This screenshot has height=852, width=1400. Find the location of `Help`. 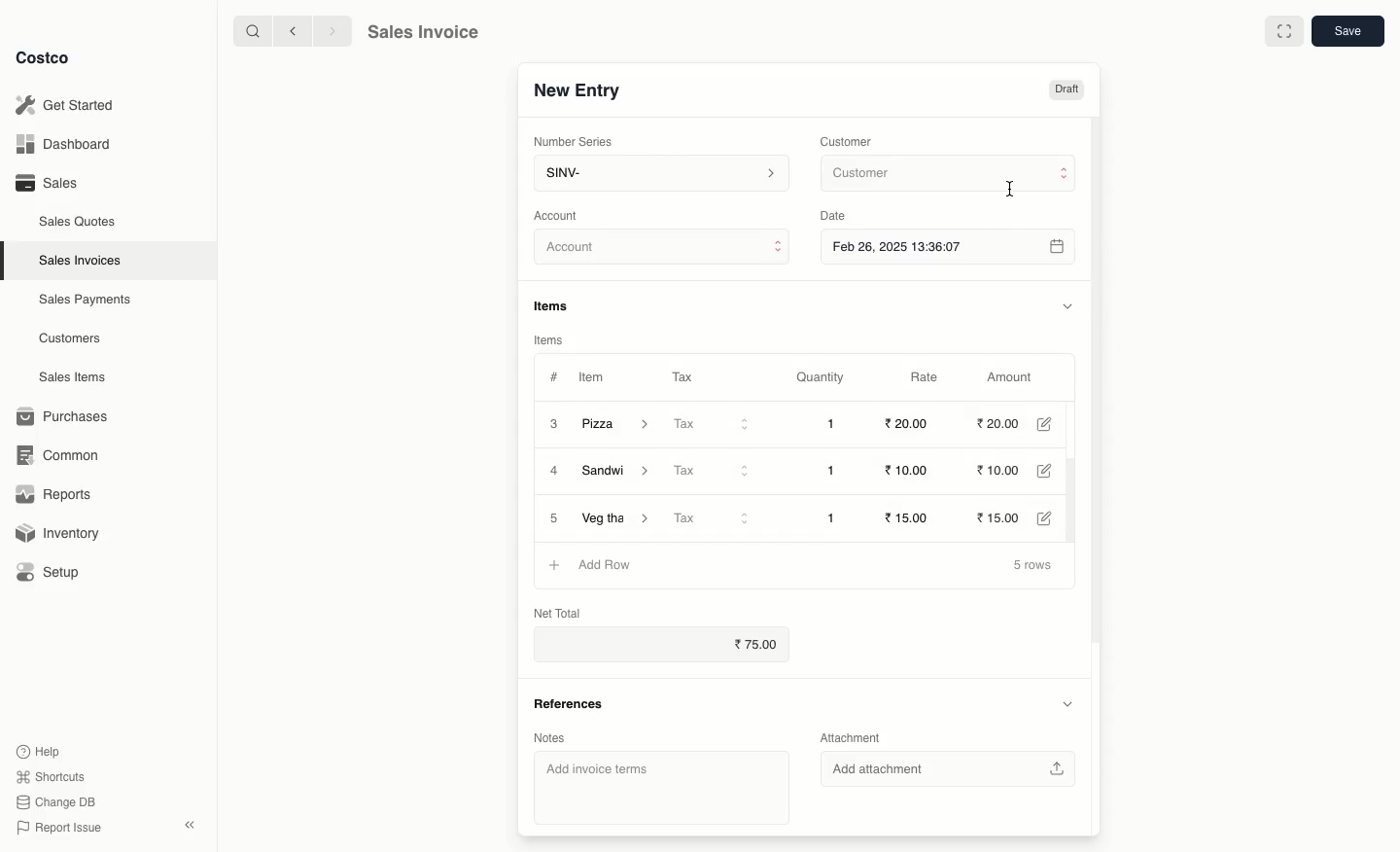

Help is located at coordinates (40, 750).